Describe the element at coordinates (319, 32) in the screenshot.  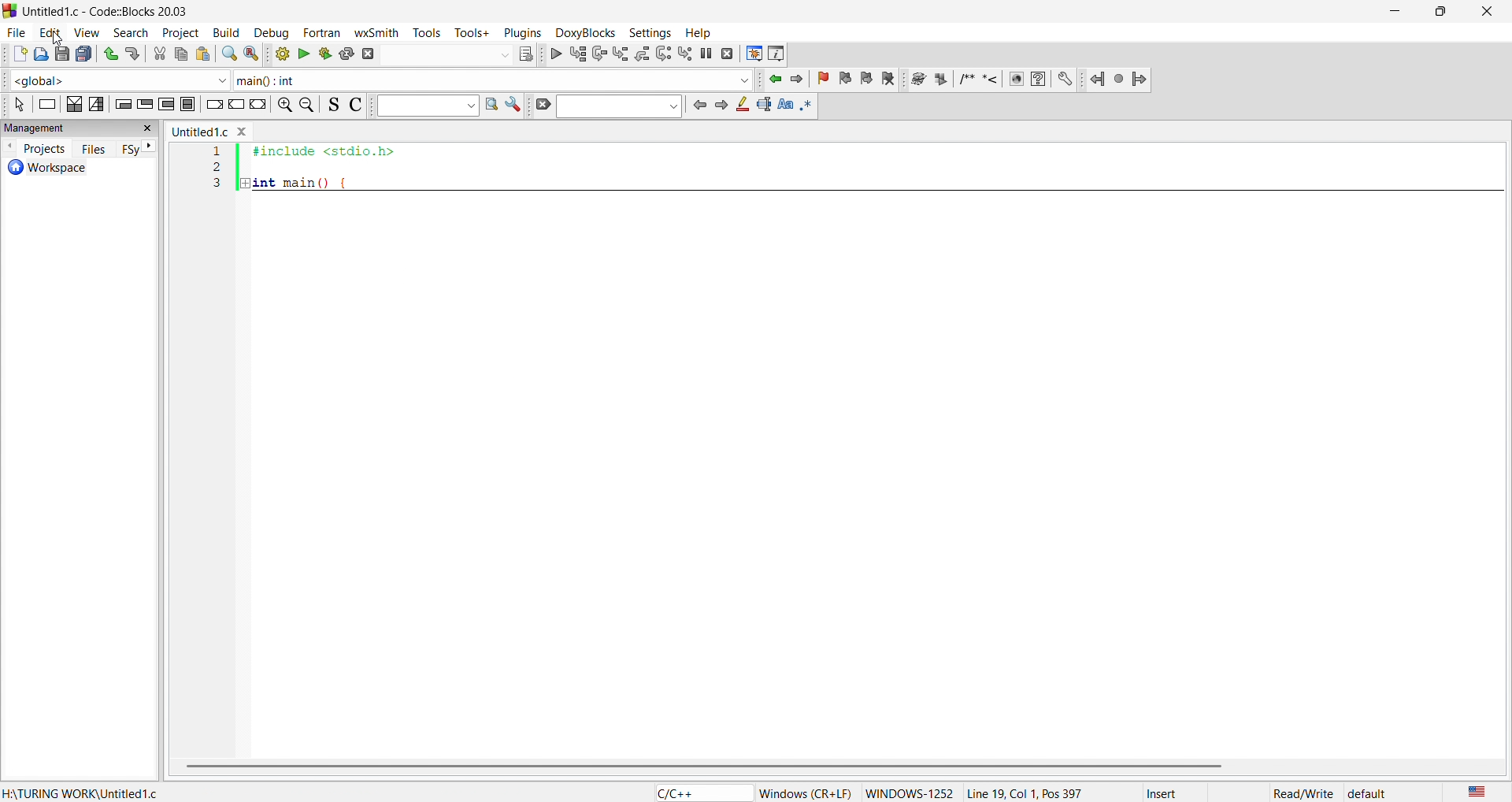
I see `fortran` at that location.